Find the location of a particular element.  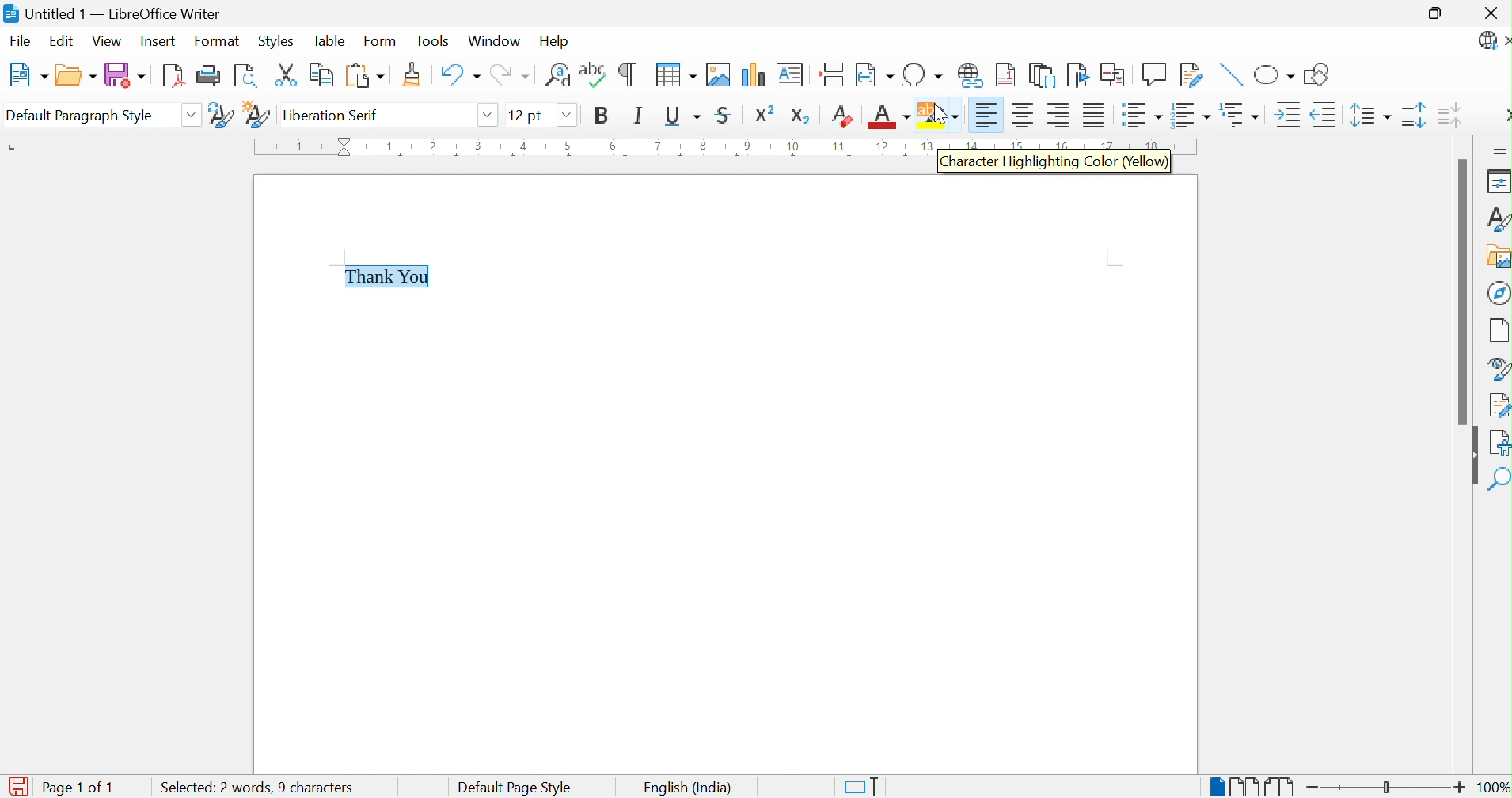

Drop Down is located at coordinates (192, 113).